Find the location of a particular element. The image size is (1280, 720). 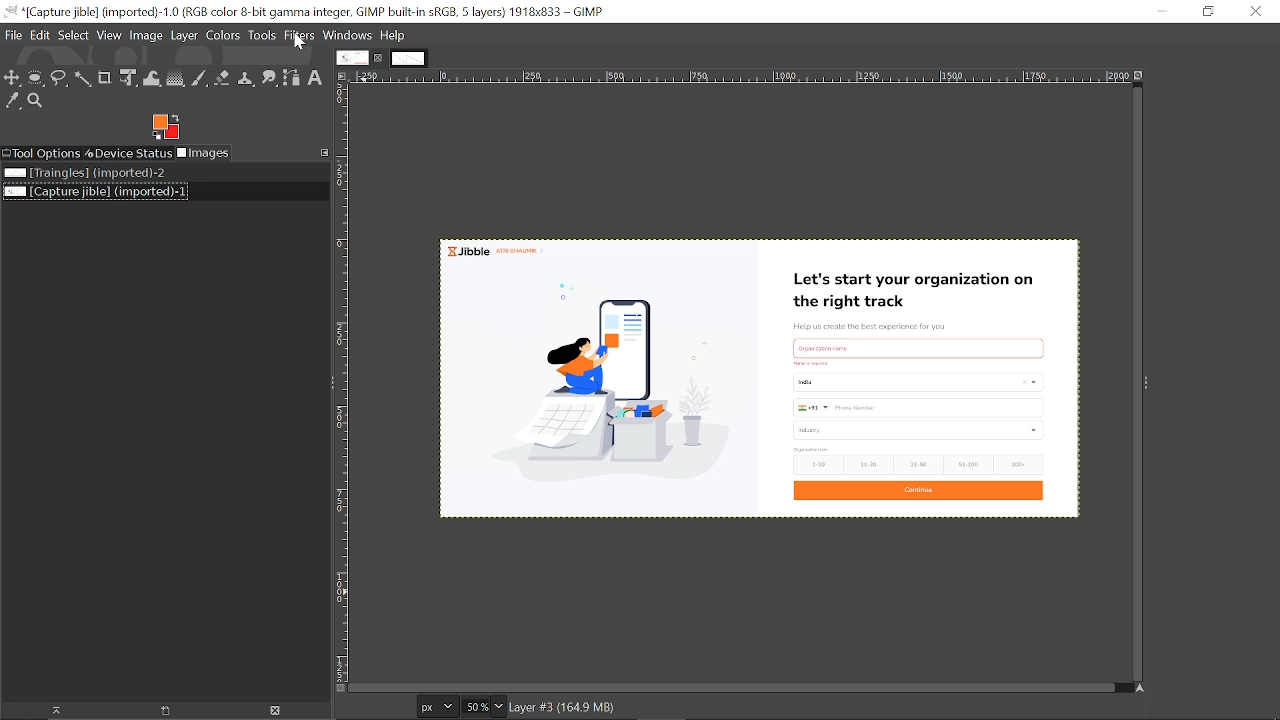

Edit is located at coordinates (40, 35).